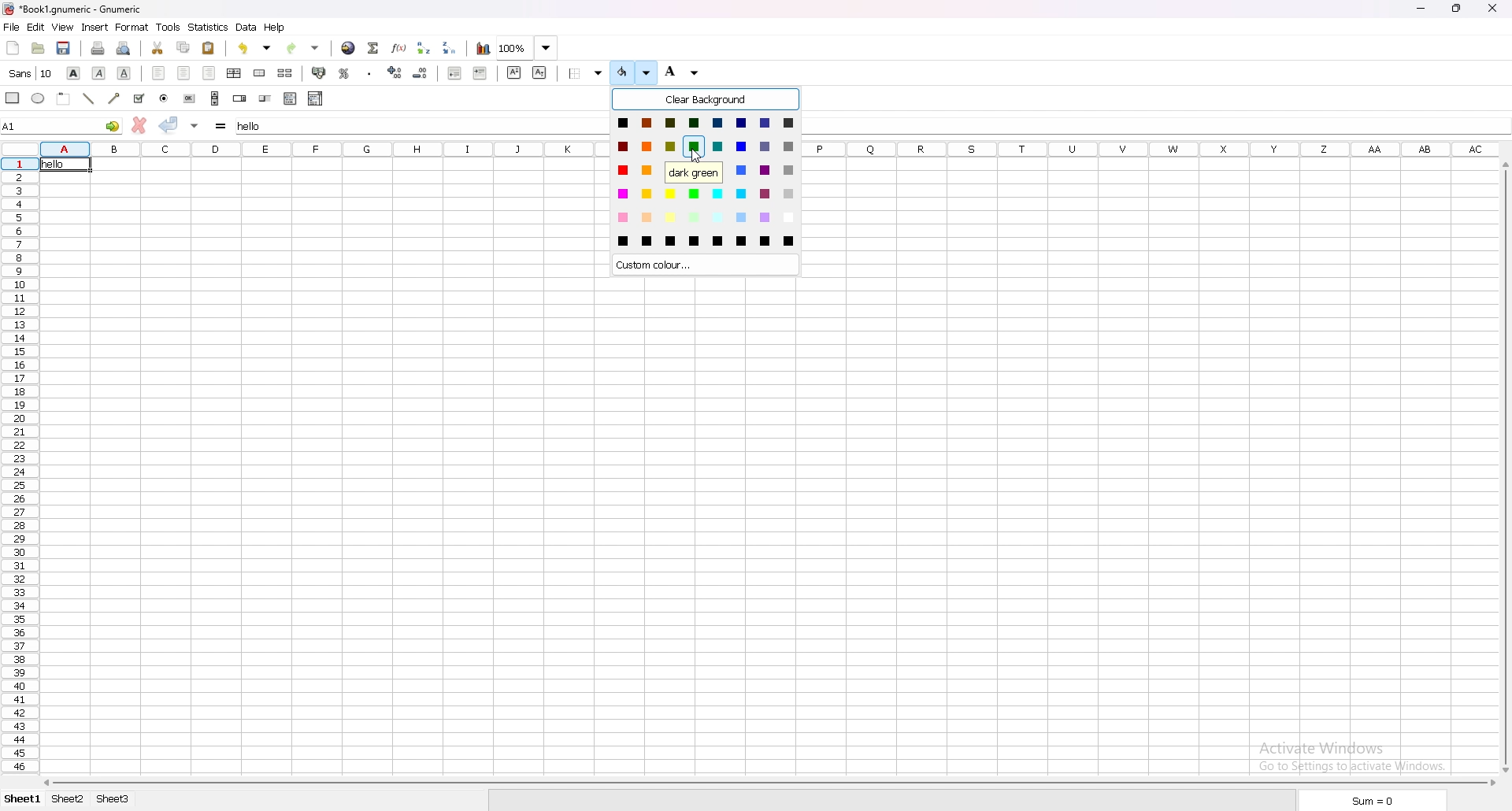 The image size is (1512, 811). I want to click on Sheet1, so click(24, 799).